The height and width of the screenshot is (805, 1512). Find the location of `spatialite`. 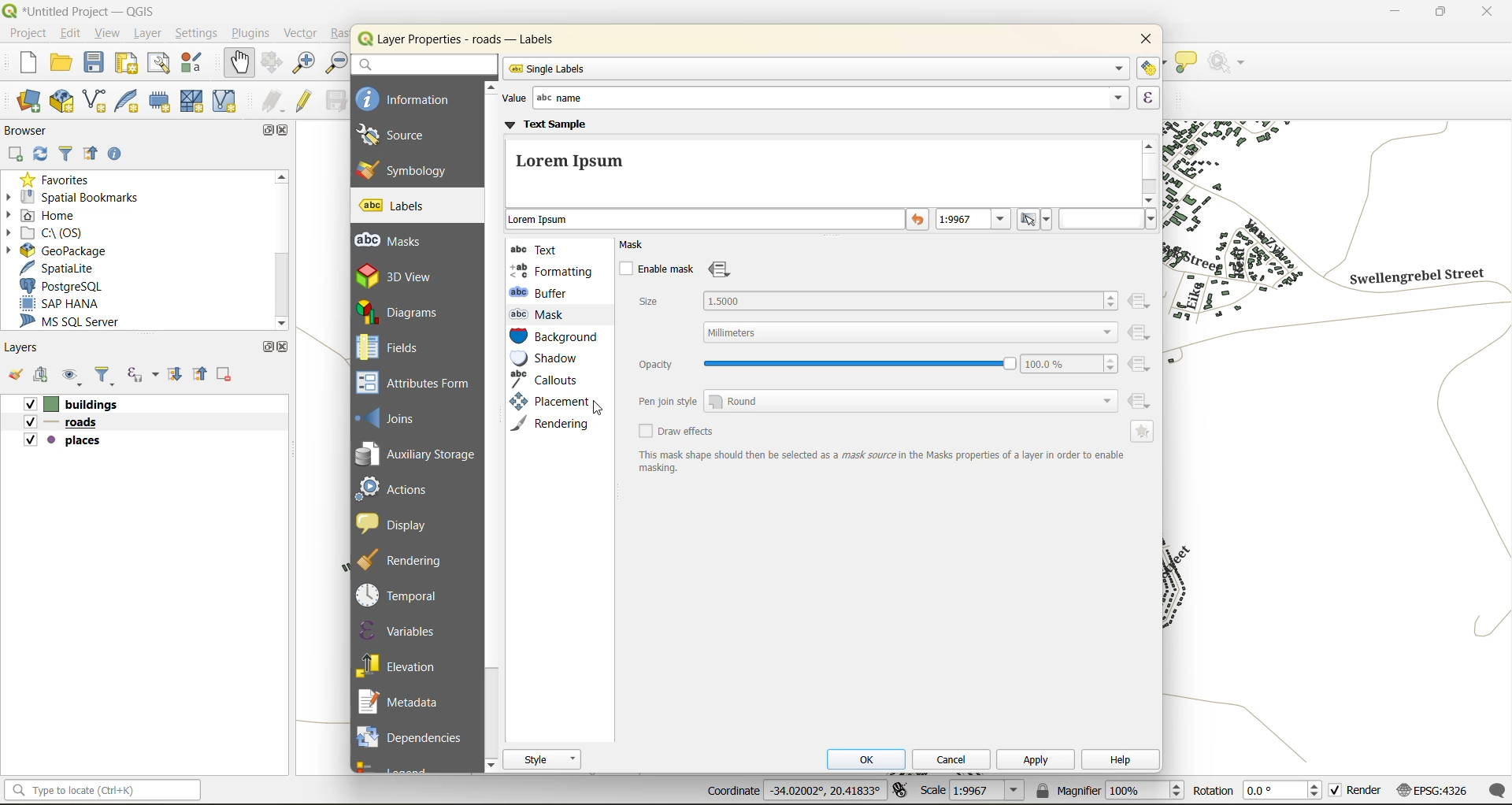

spatialite is located at coordinates (59, 269).